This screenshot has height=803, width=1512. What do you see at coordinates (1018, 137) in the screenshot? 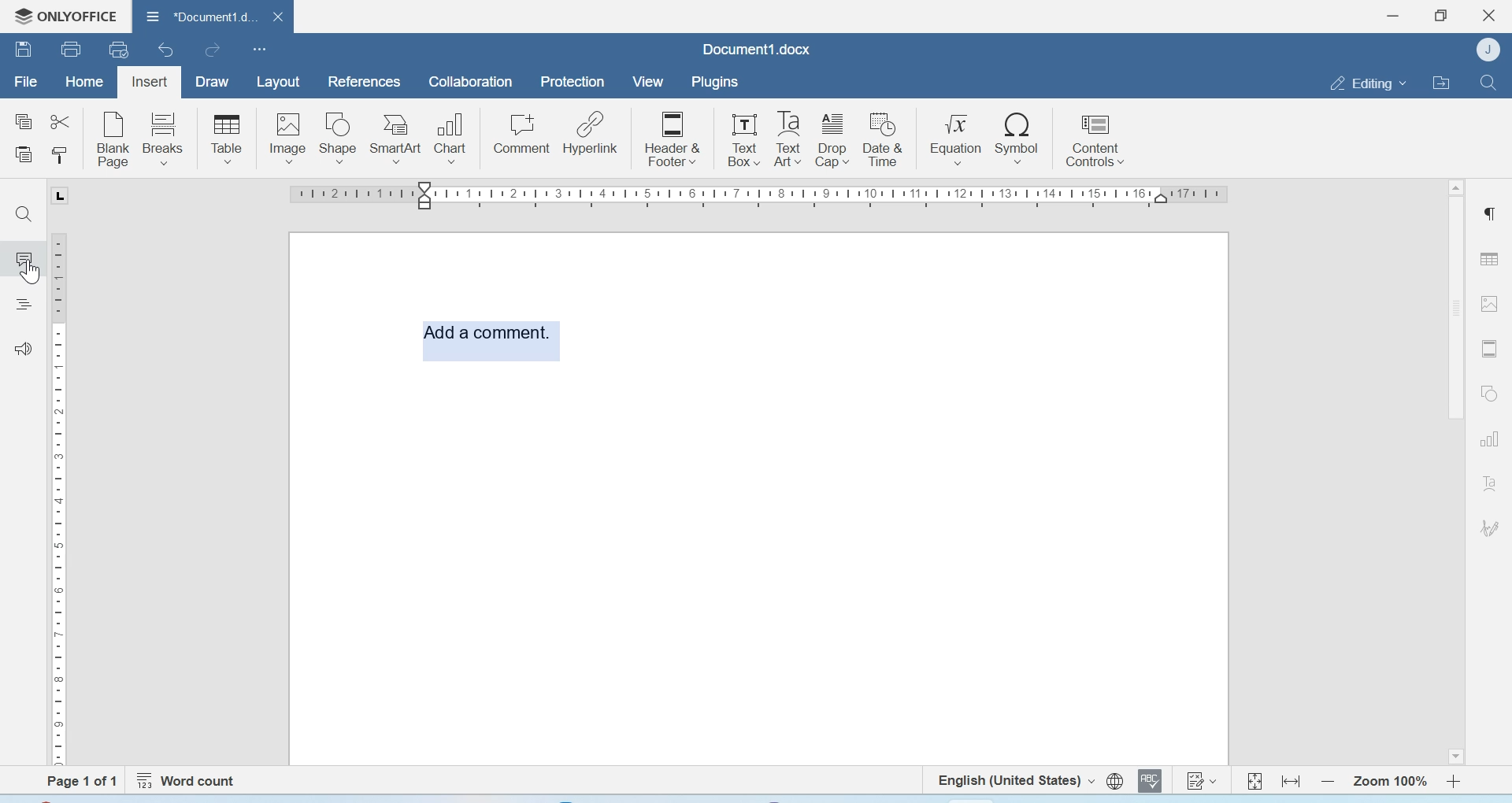
I see `Symbol` at bounding box center [1018, 137].